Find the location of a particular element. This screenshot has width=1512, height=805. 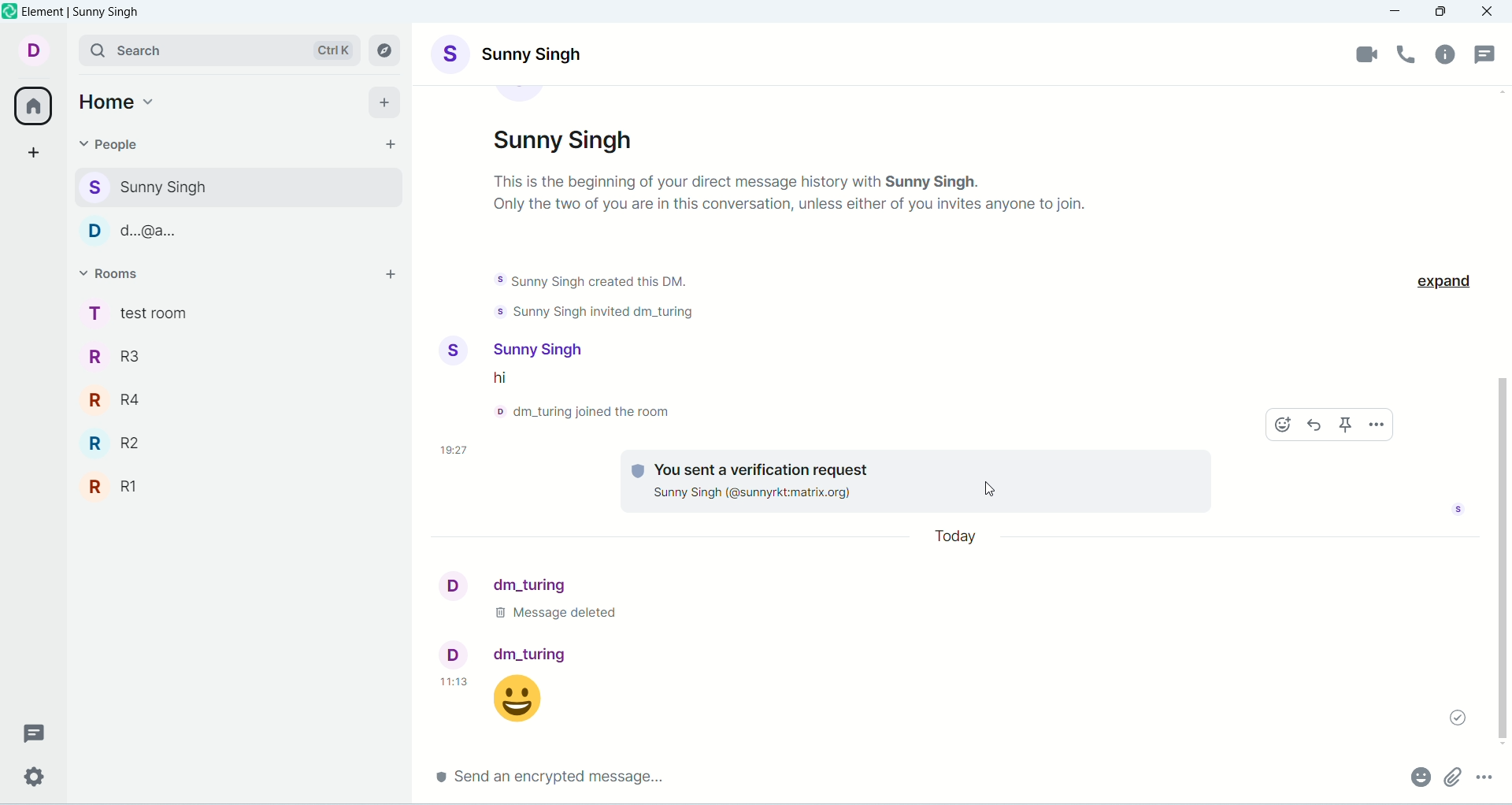

display picture is located at coordinates (453, 653).